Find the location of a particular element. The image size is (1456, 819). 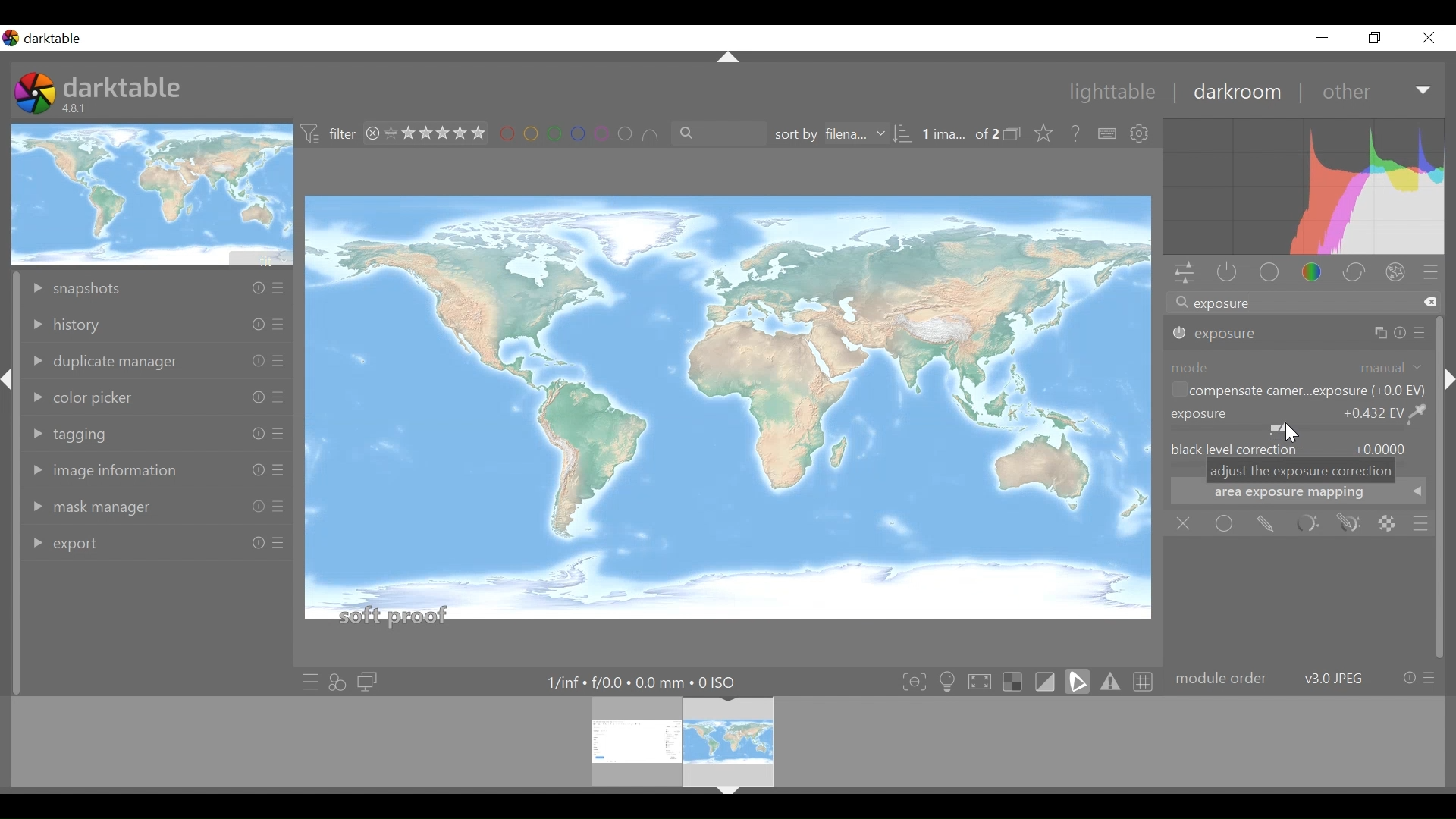

help is located at coordinates (1077, 134).